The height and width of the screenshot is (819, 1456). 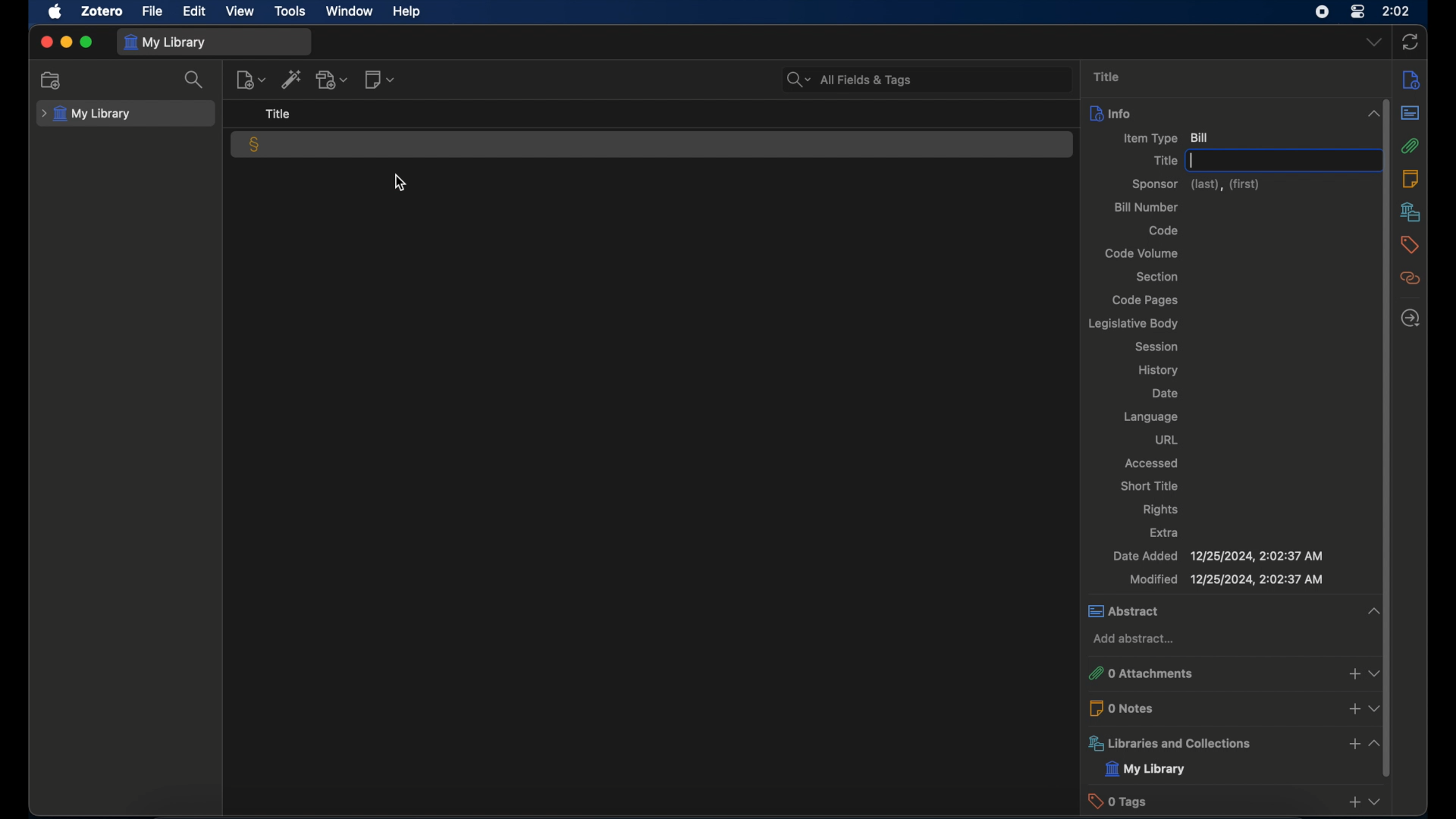 I want to click on apple, so click(x=55, y=12).